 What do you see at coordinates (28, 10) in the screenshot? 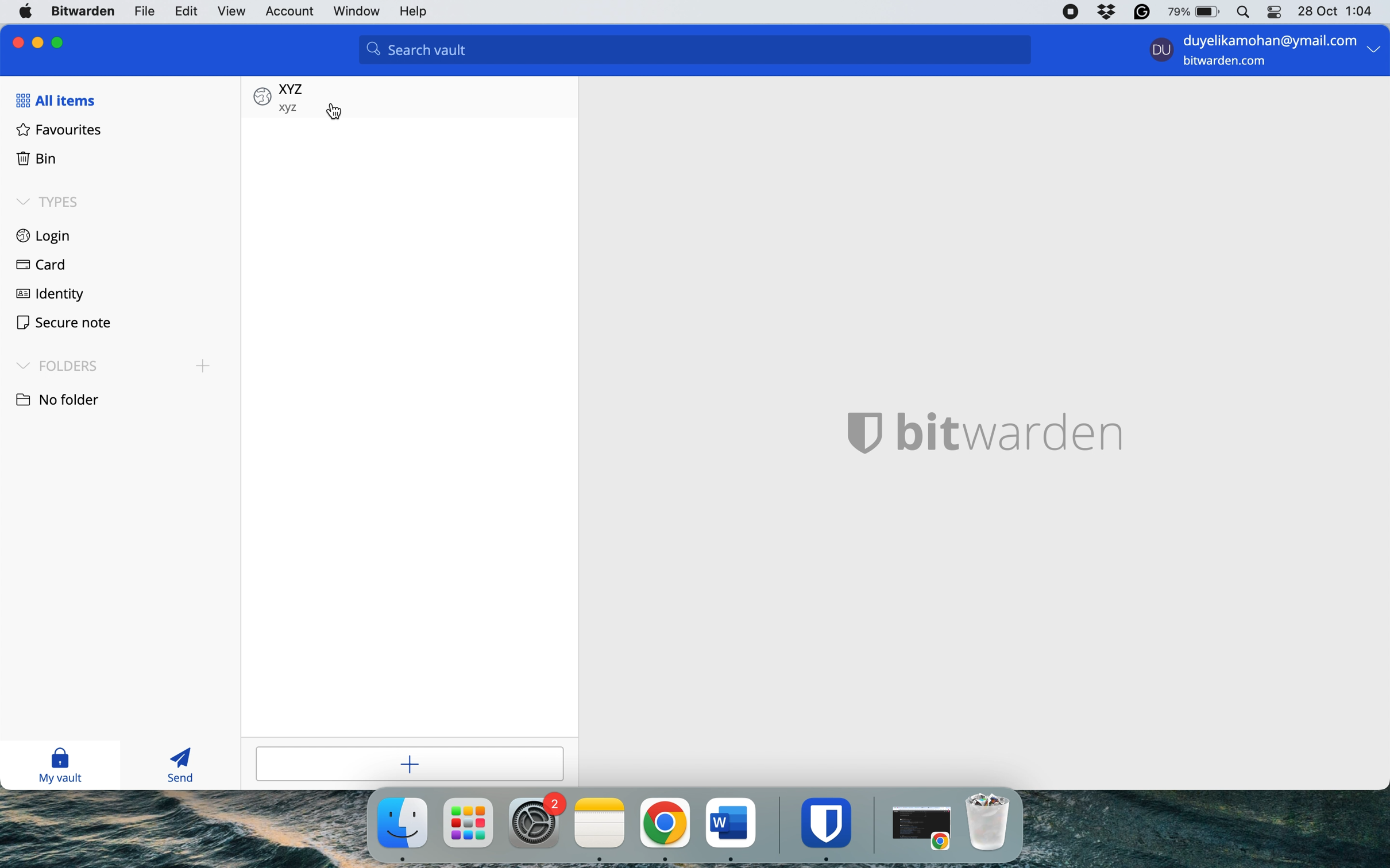
I see `system logo` at bounding box center [28, 10].